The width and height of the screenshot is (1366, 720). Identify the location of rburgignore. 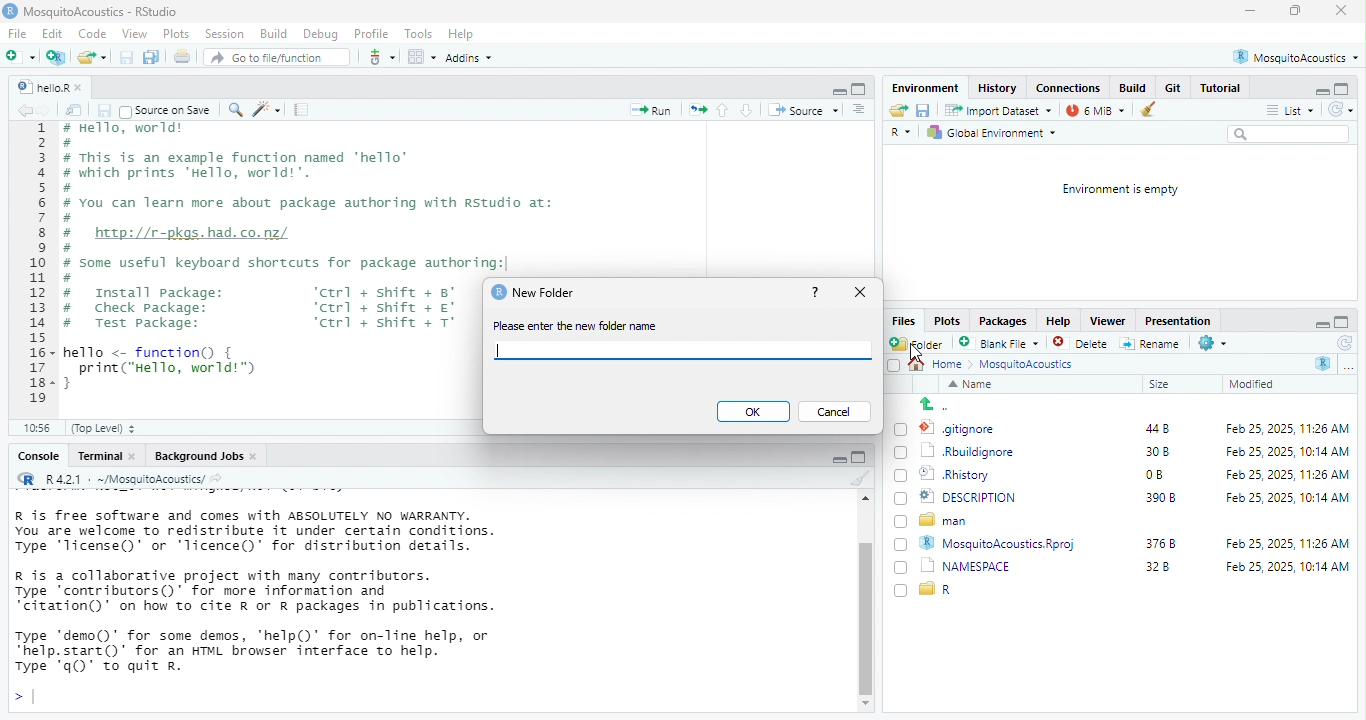
(972, 452).